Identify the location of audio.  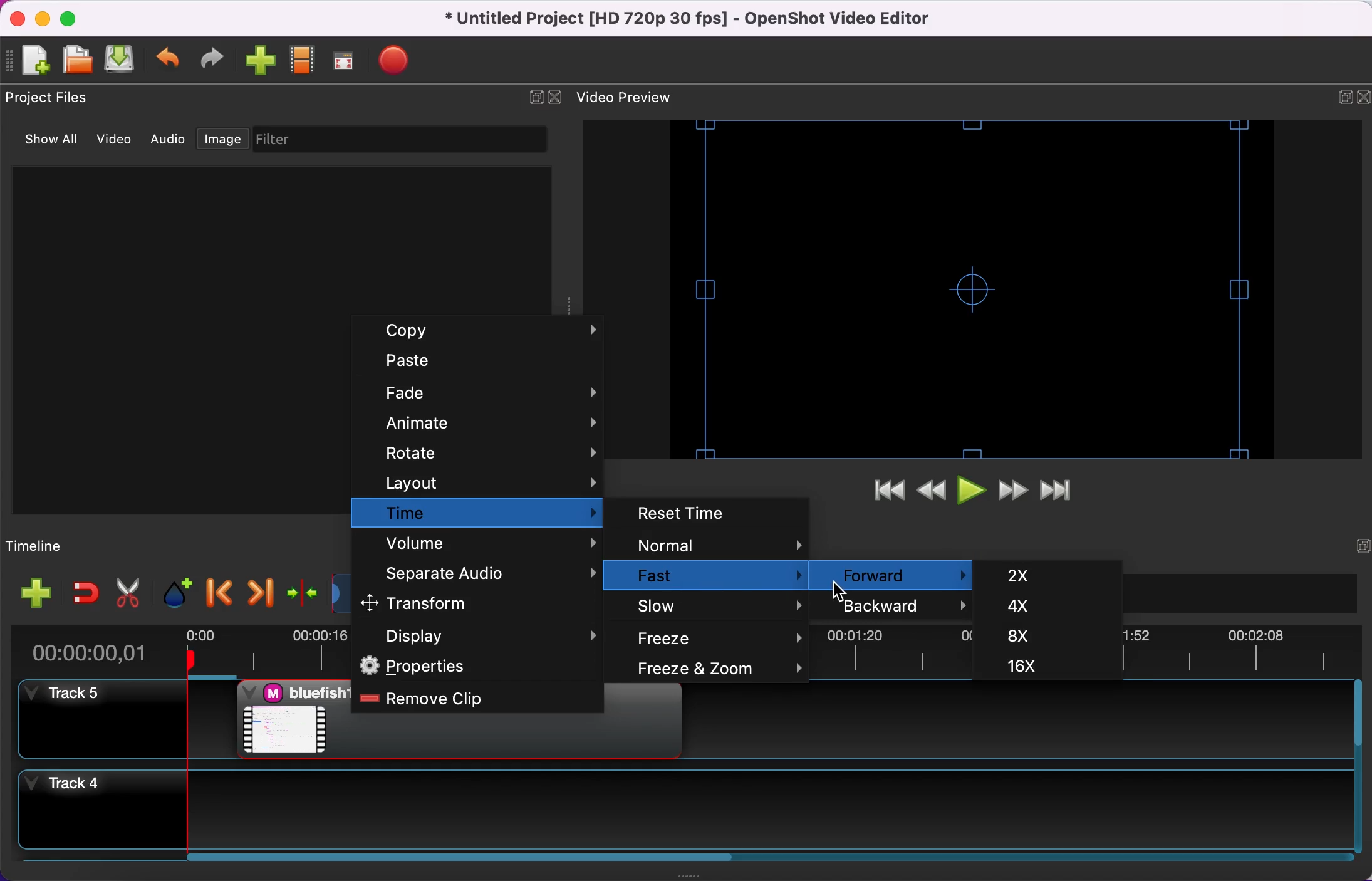
(169, 142).